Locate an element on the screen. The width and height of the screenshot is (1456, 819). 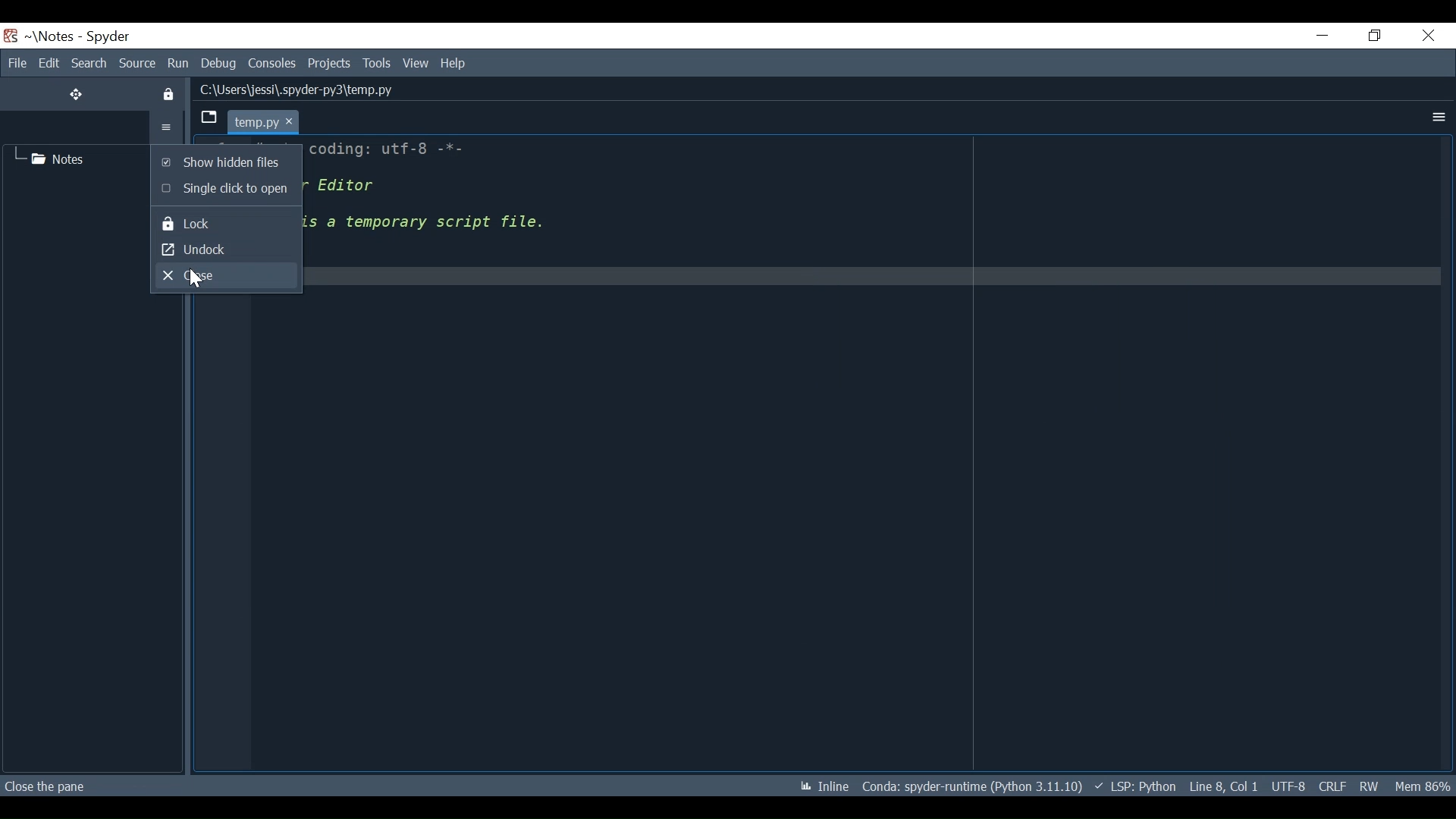
Mem 86% is located at coordinates (1423, 787).